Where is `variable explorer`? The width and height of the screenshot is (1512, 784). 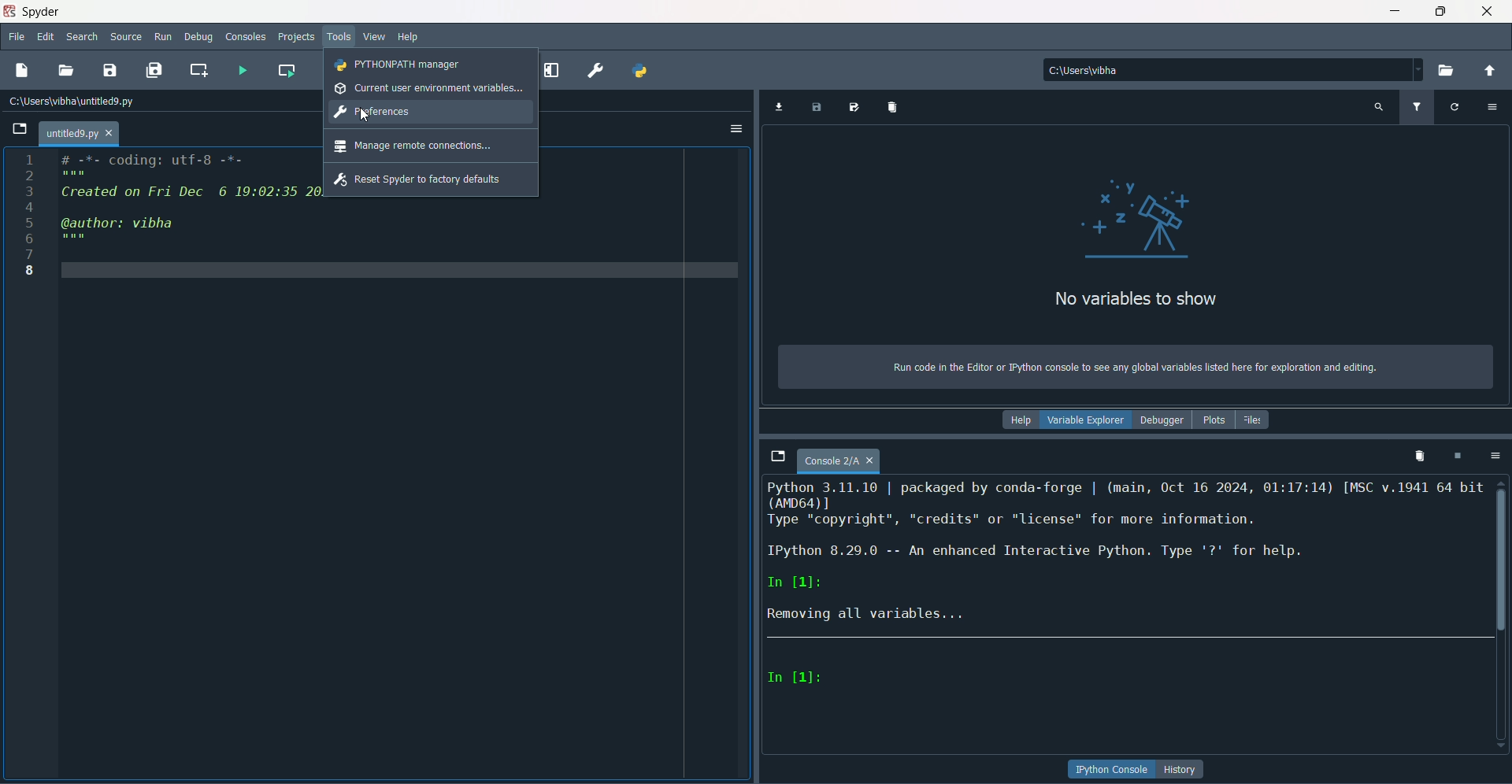 variable explorer is located at coordinates (1085, 422).